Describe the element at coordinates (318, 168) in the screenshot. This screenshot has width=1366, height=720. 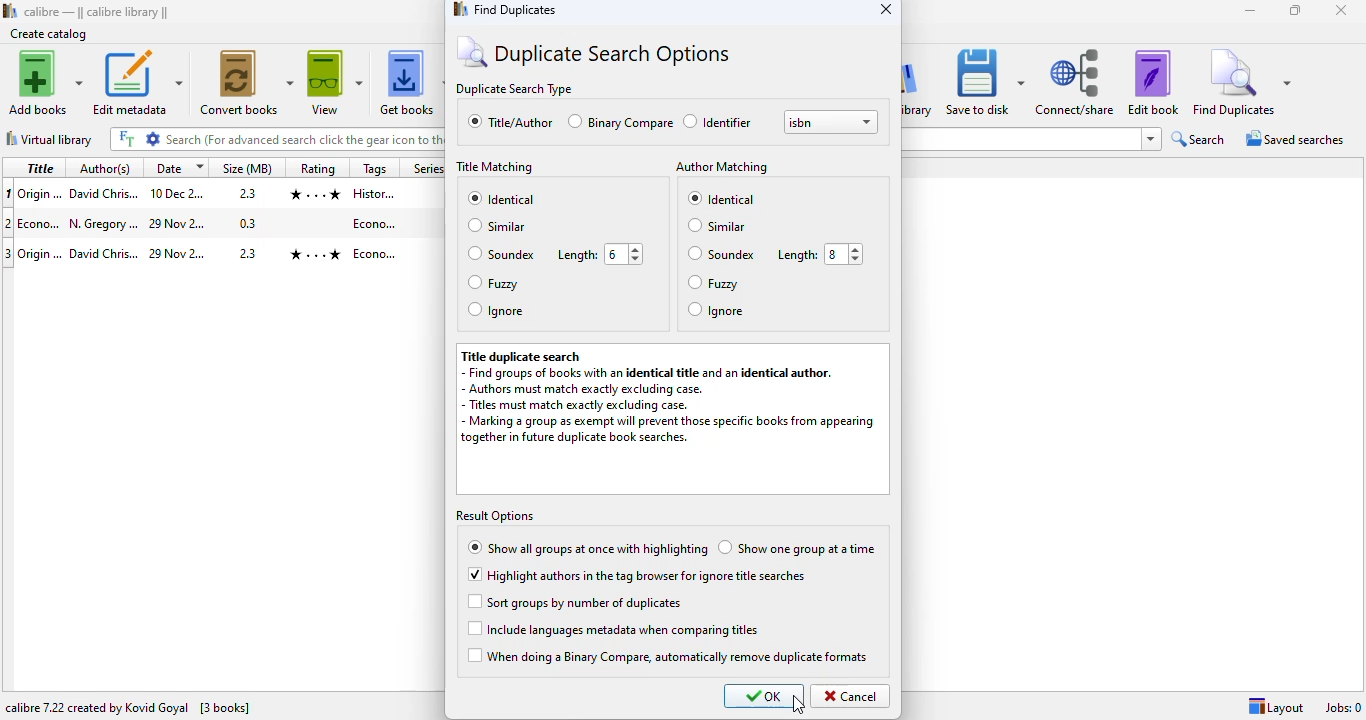
I see `rating` at that location.